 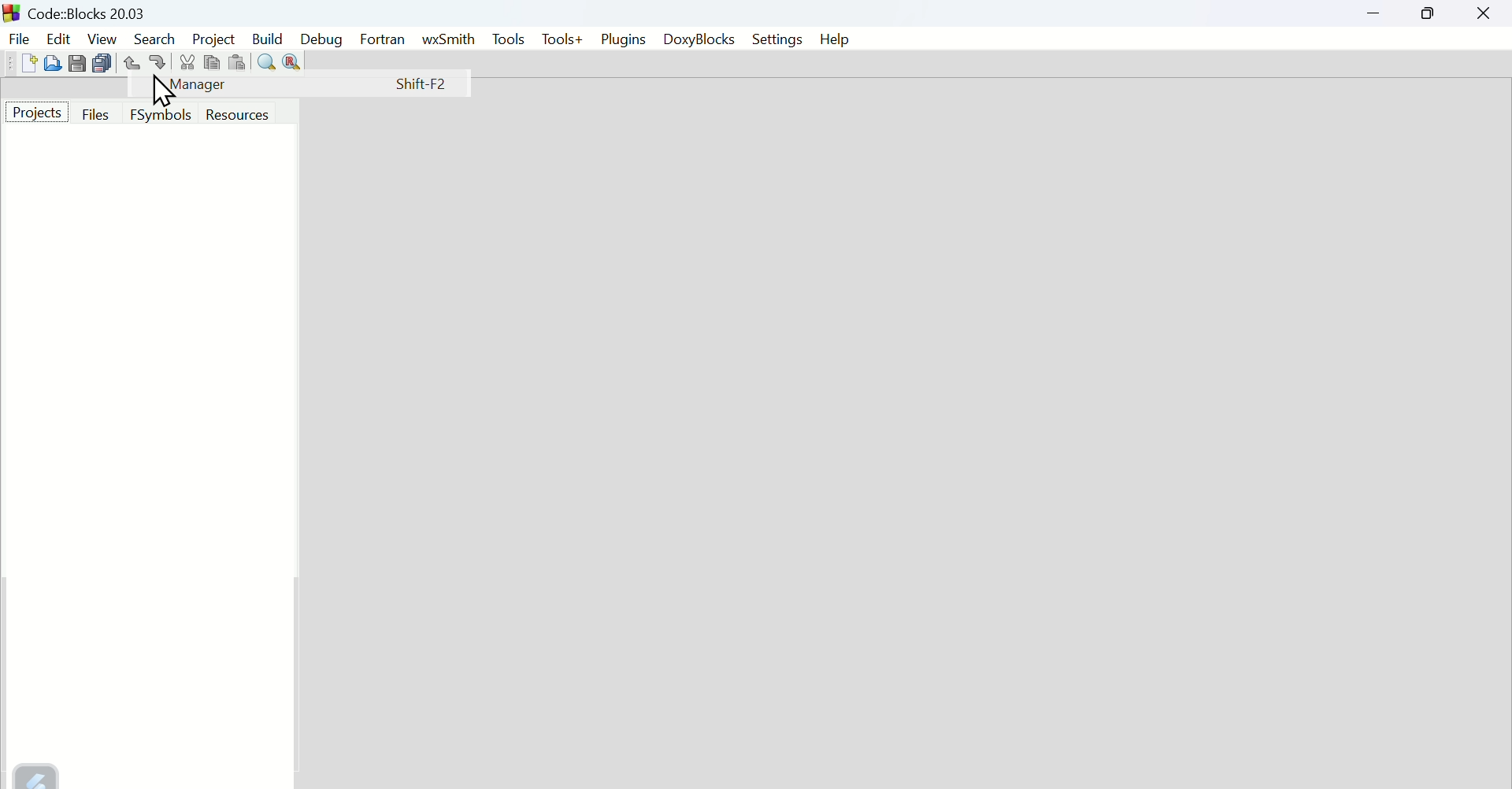 I want to click on Redo, so click(x=159, y=61).